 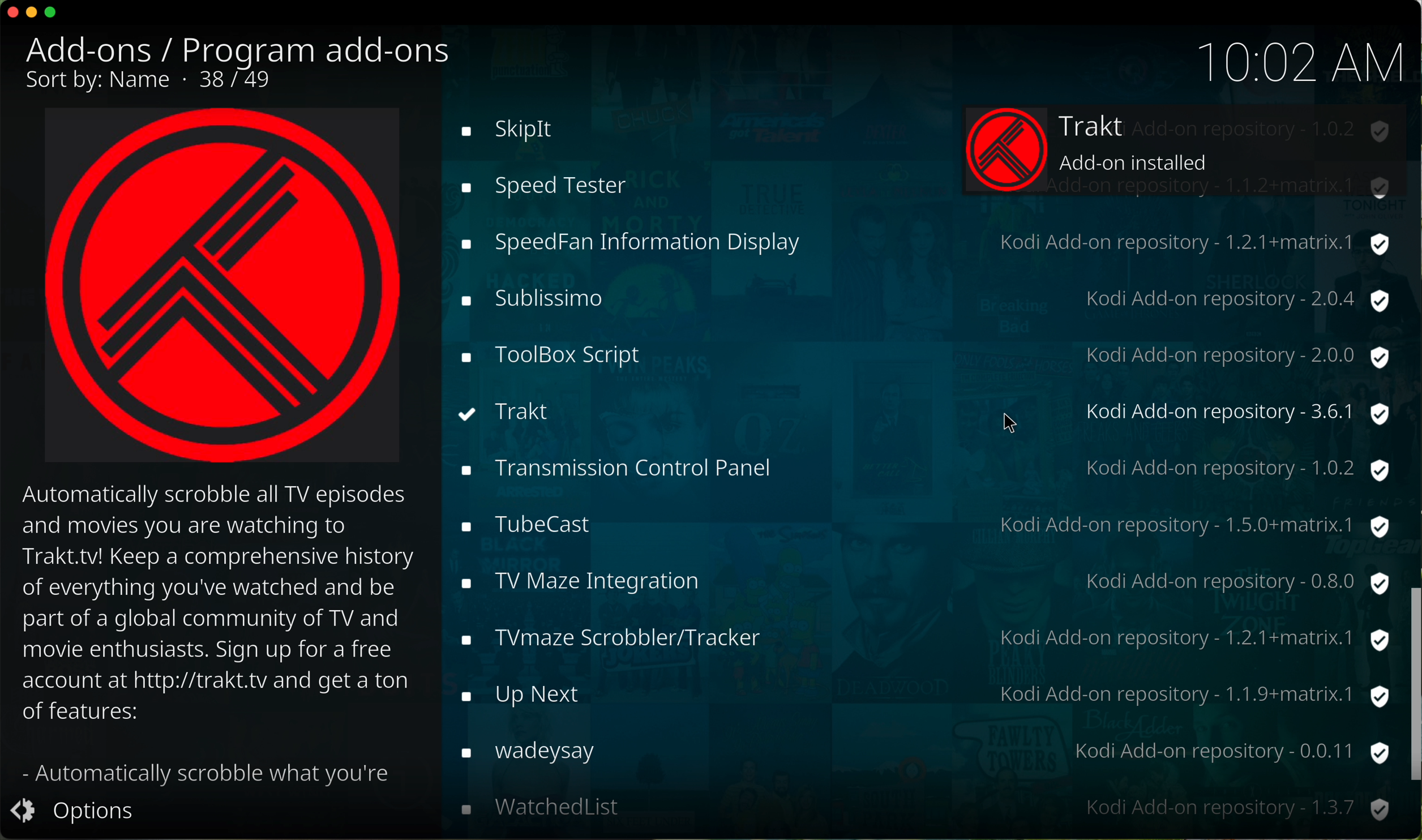 What do you see at coordinates (922, 525) in the screenshot?
I see `wadeysay` at bounding box center [922, 525].